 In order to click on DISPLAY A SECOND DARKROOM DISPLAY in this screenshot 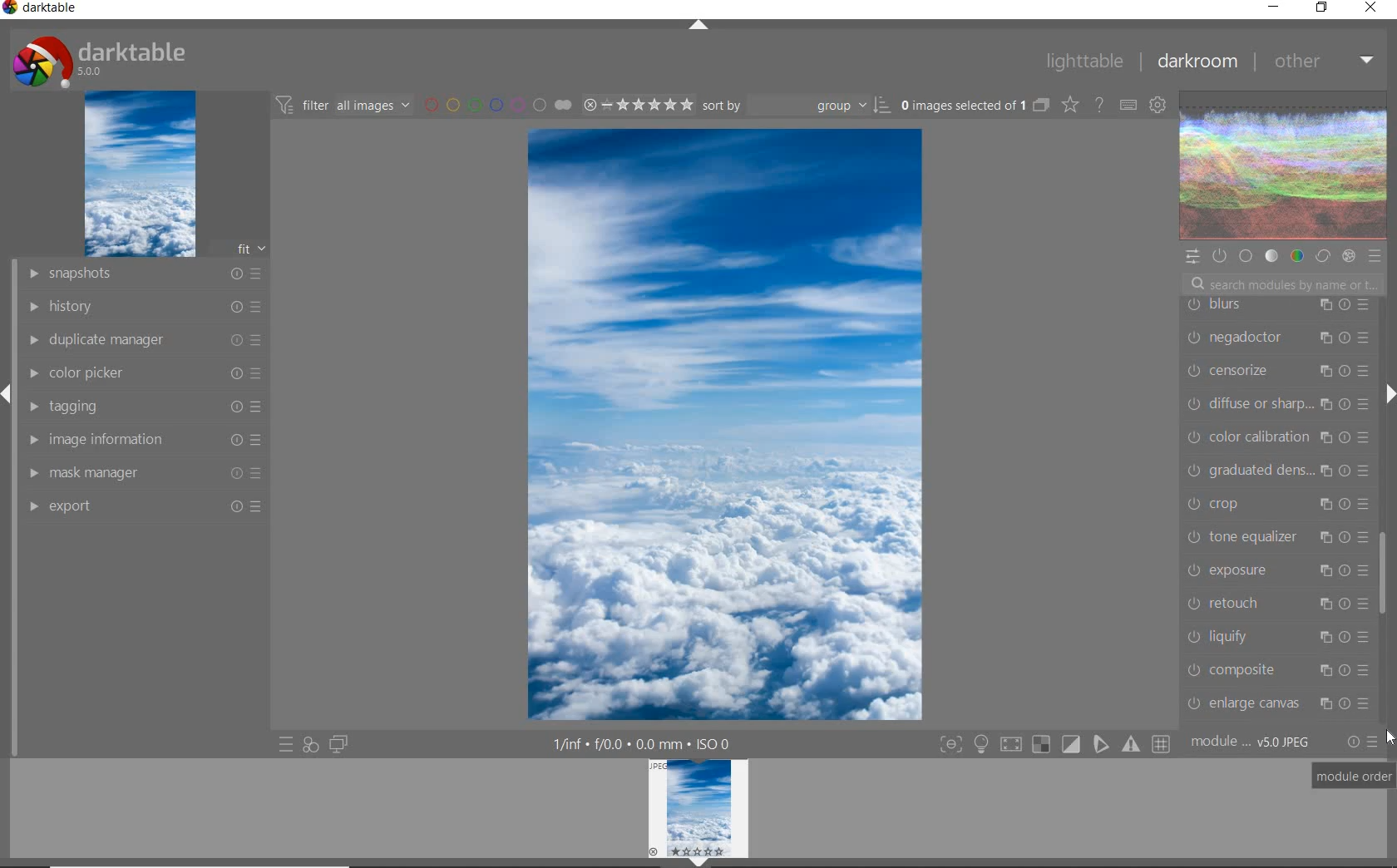, I will do `click(338, 745)`.